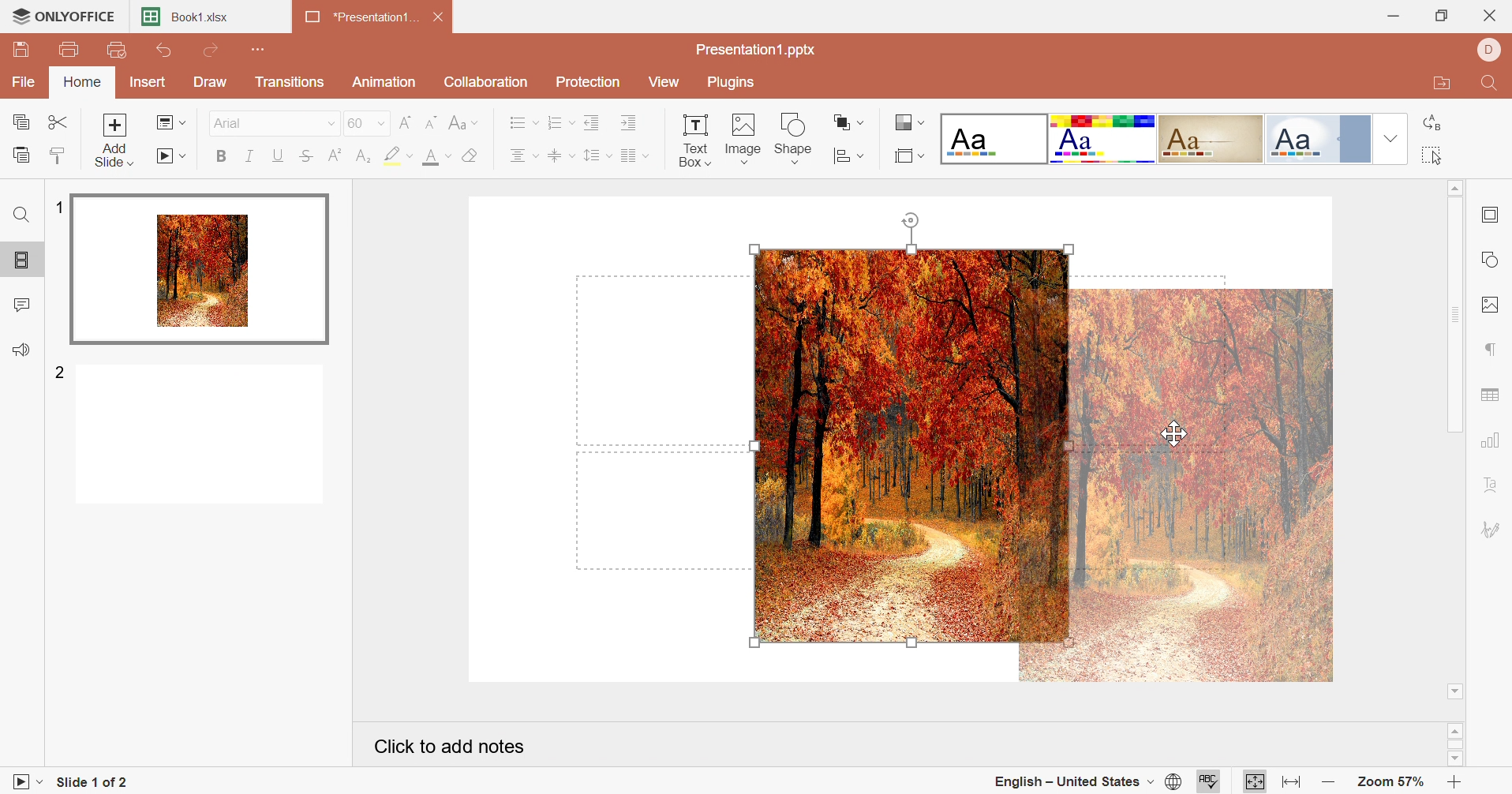 Image resolution: width=1512 pixels, height=794 pixels. Describe the element at coordinates (98, 783) in the screenshot. I see `Slide 1 of 2` at that location.